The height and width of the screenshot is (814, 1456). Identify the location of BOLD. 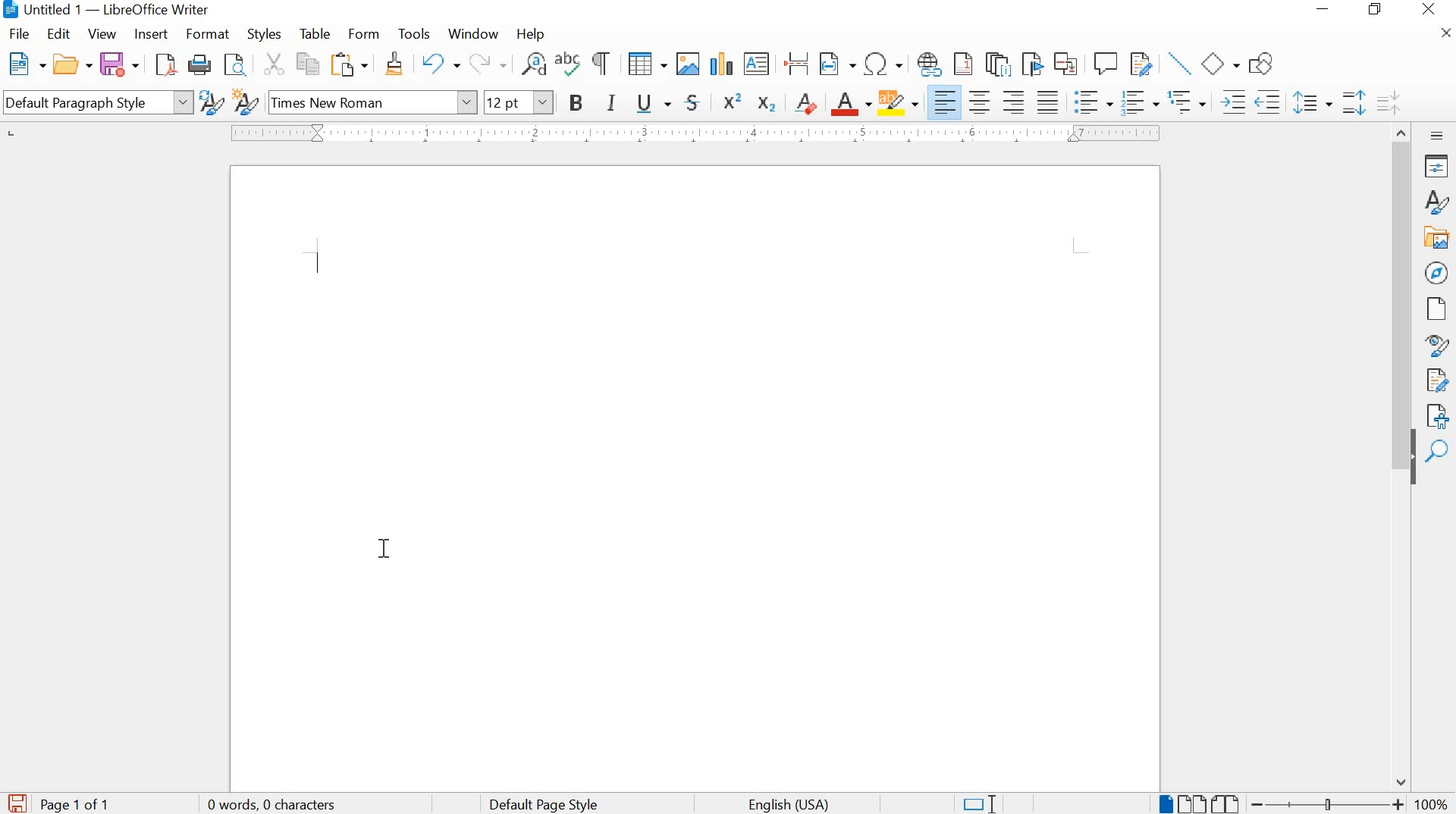
(576, 102).